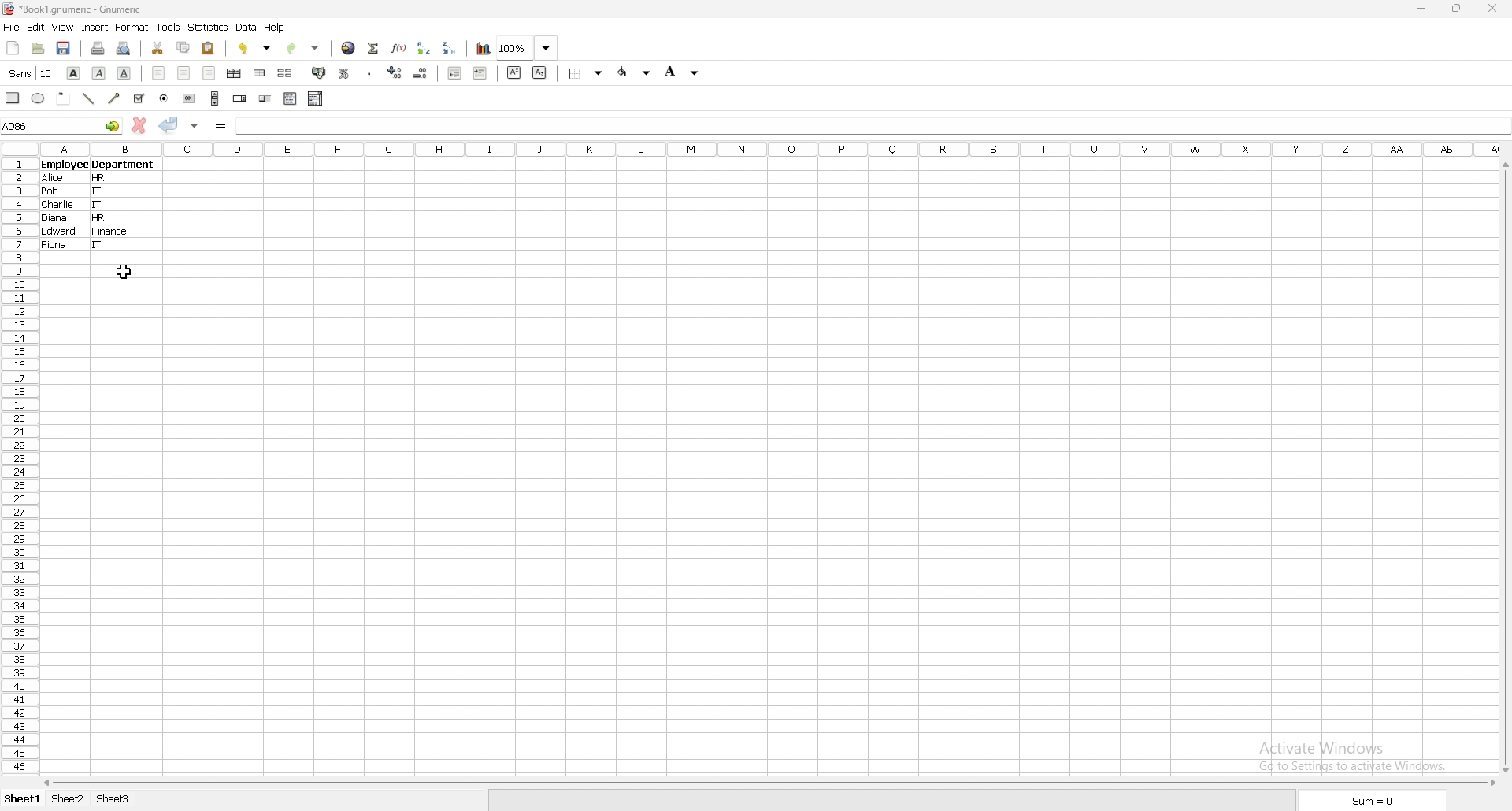  Describe the element at coordinates (349, 48) in the screenshot. I see `hyperlink` at that location.